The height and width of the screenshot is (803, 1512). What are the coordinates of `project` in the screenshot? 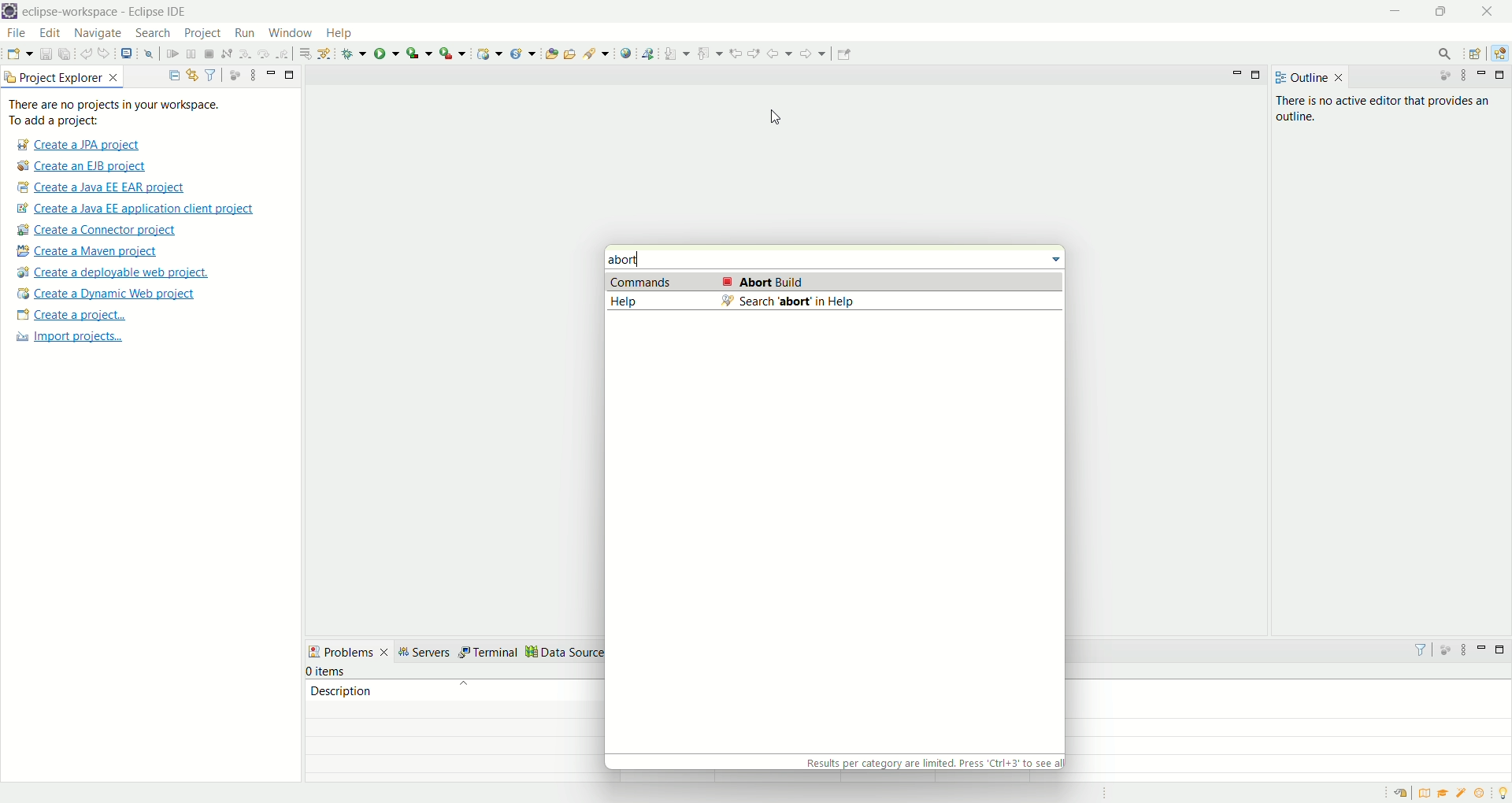 It's located at (204, 35).